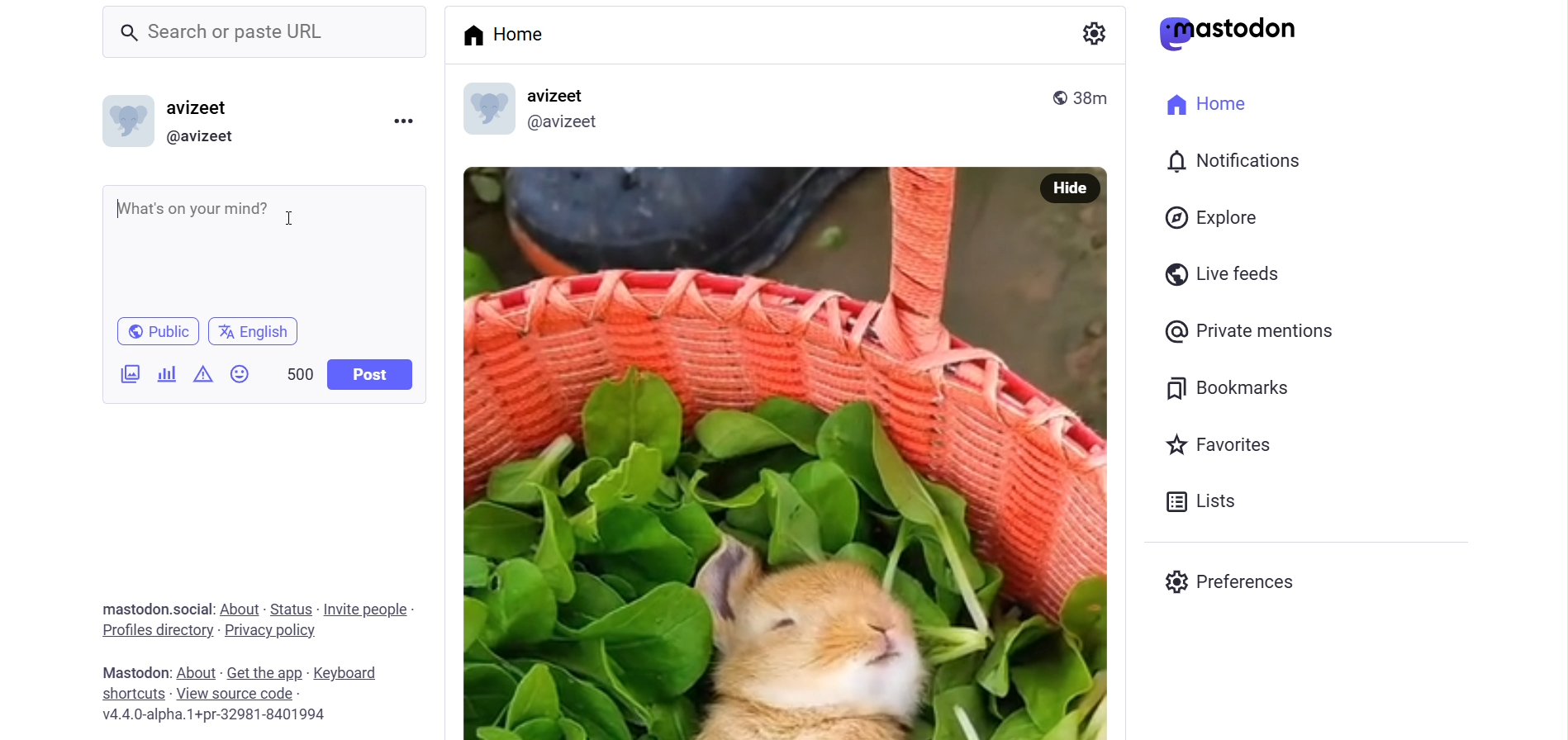 The height and width of the screenshot is (740, 1568). I want to click on private Mentions, so click(1247, 331).